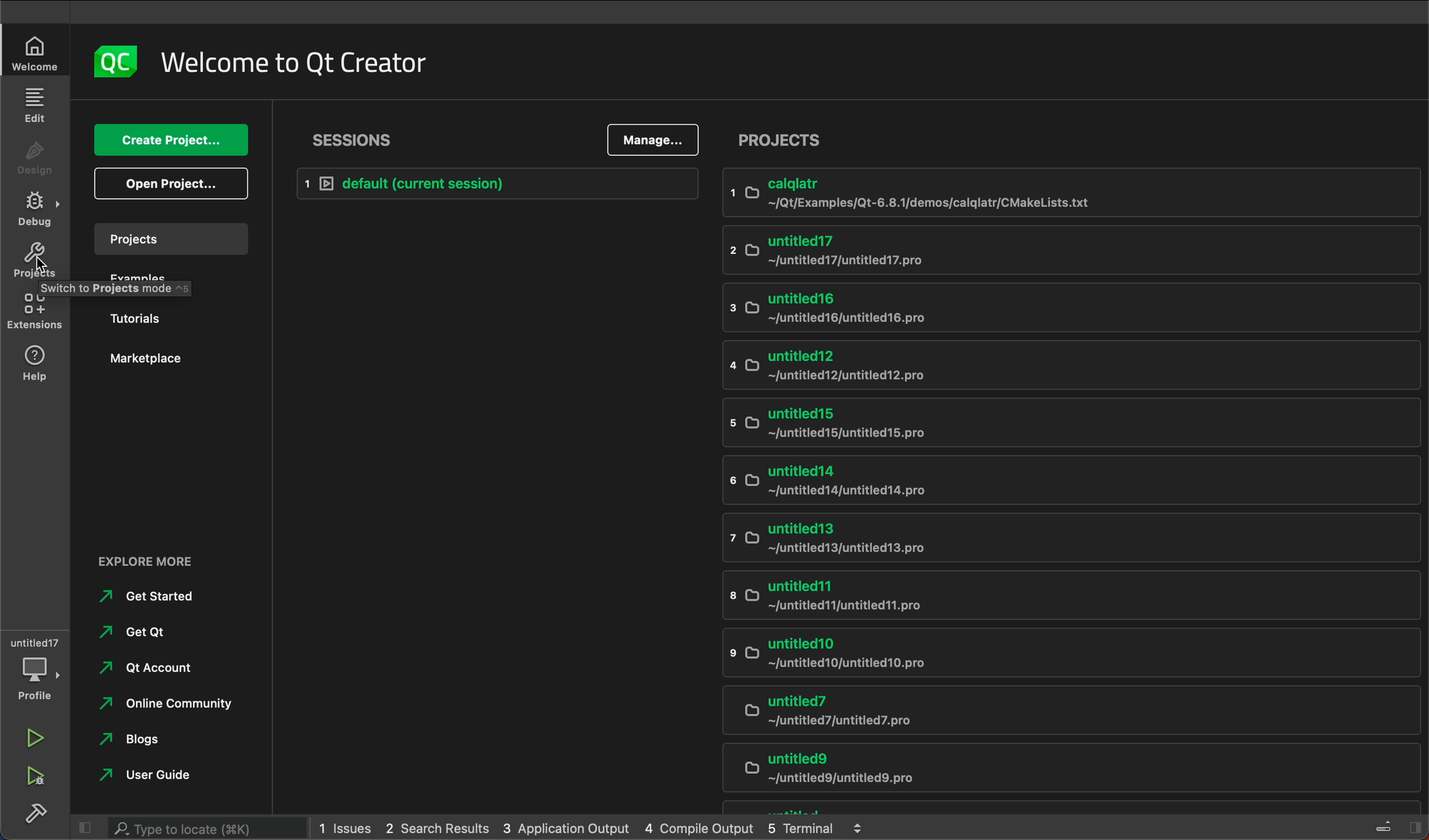  I want to click on online community, so click(175, 706).